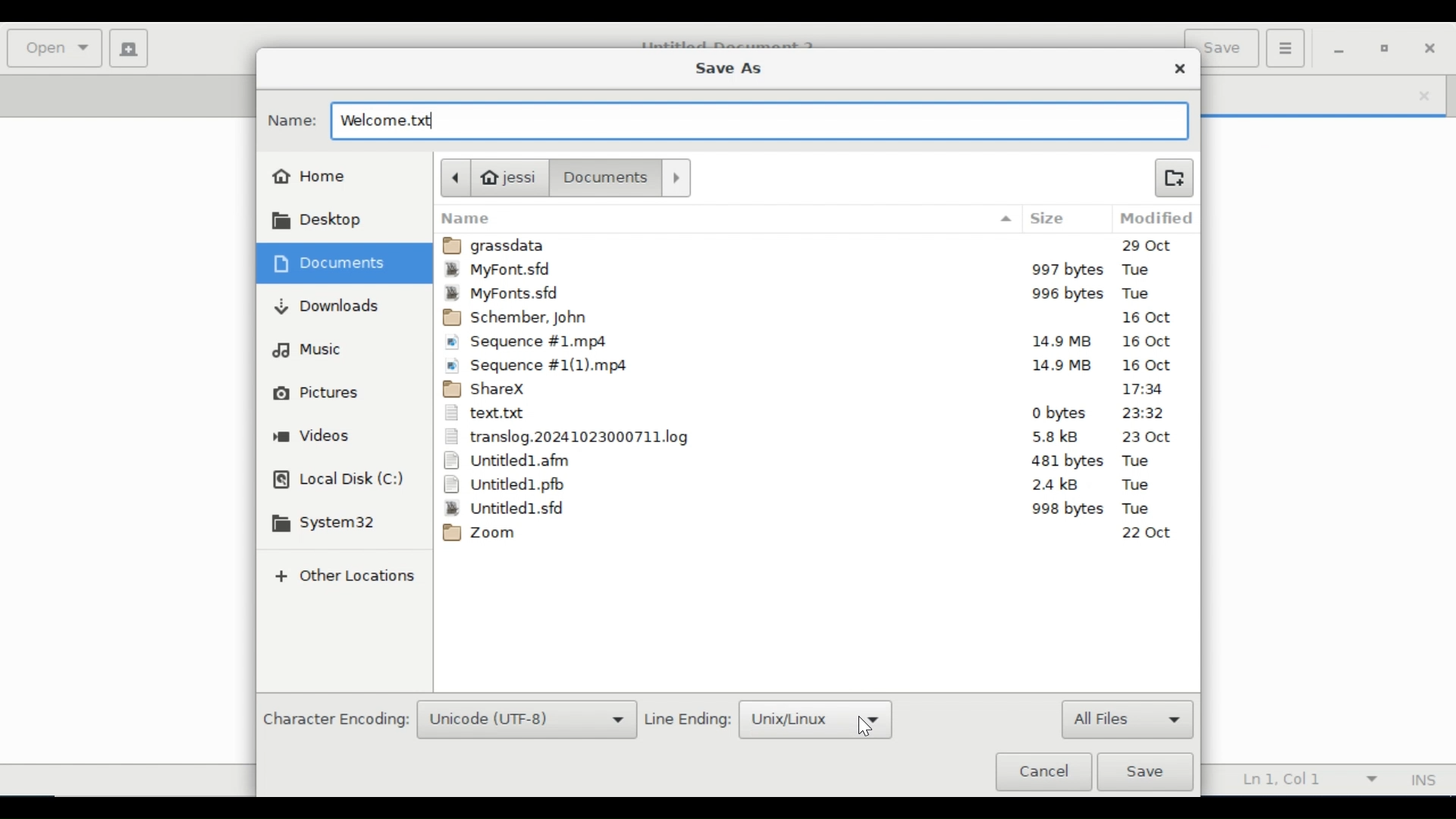  I want to click on Untitled1.pfb 2.4kB Tue, so click(812, 485).